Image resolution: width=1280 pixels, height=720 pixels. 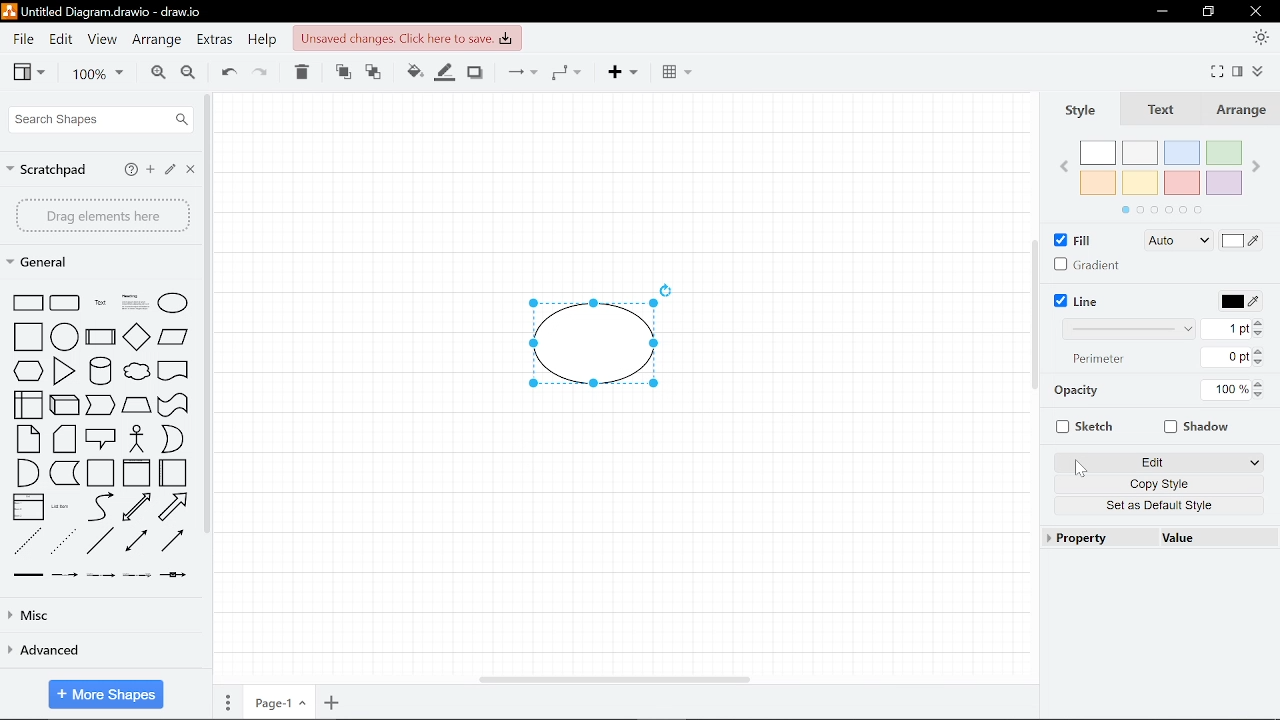 What do you see at coordinates (66, 406) in the screenshot?
I see `cube` at bounding box center [66, 406].